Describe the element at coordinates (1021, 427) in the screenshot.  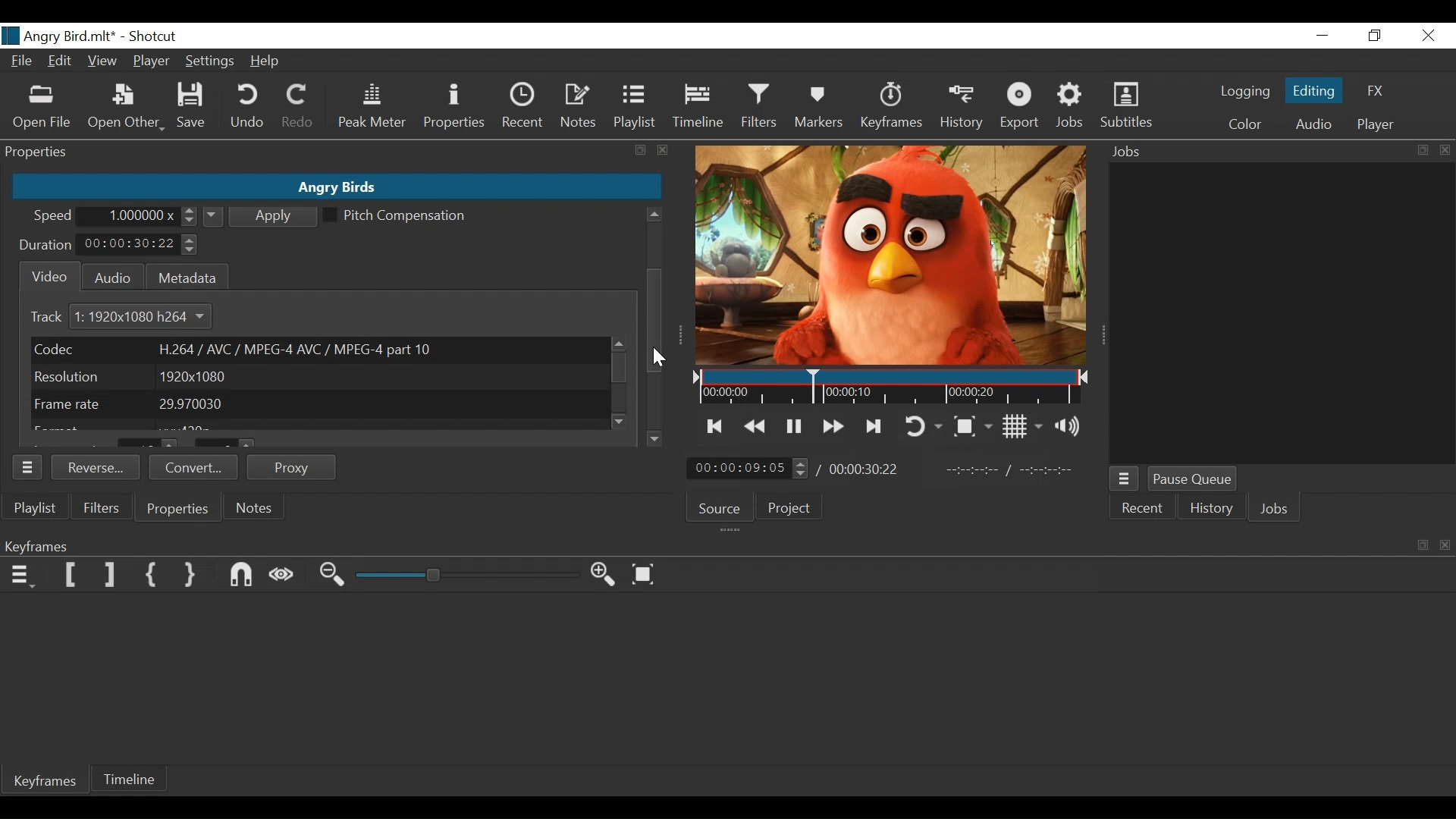
I see `Toggle display grid on player` at that location.